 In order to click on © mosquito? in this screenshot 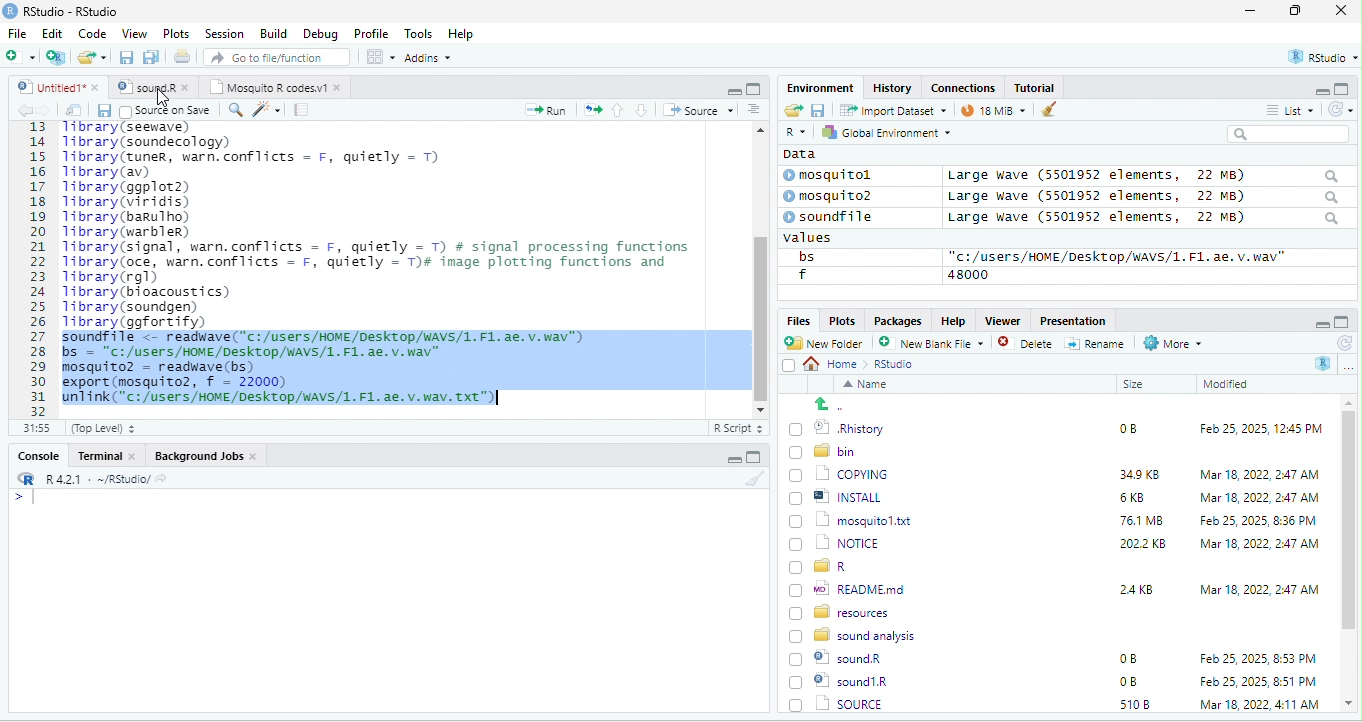, I will do `click(834, 194)`.